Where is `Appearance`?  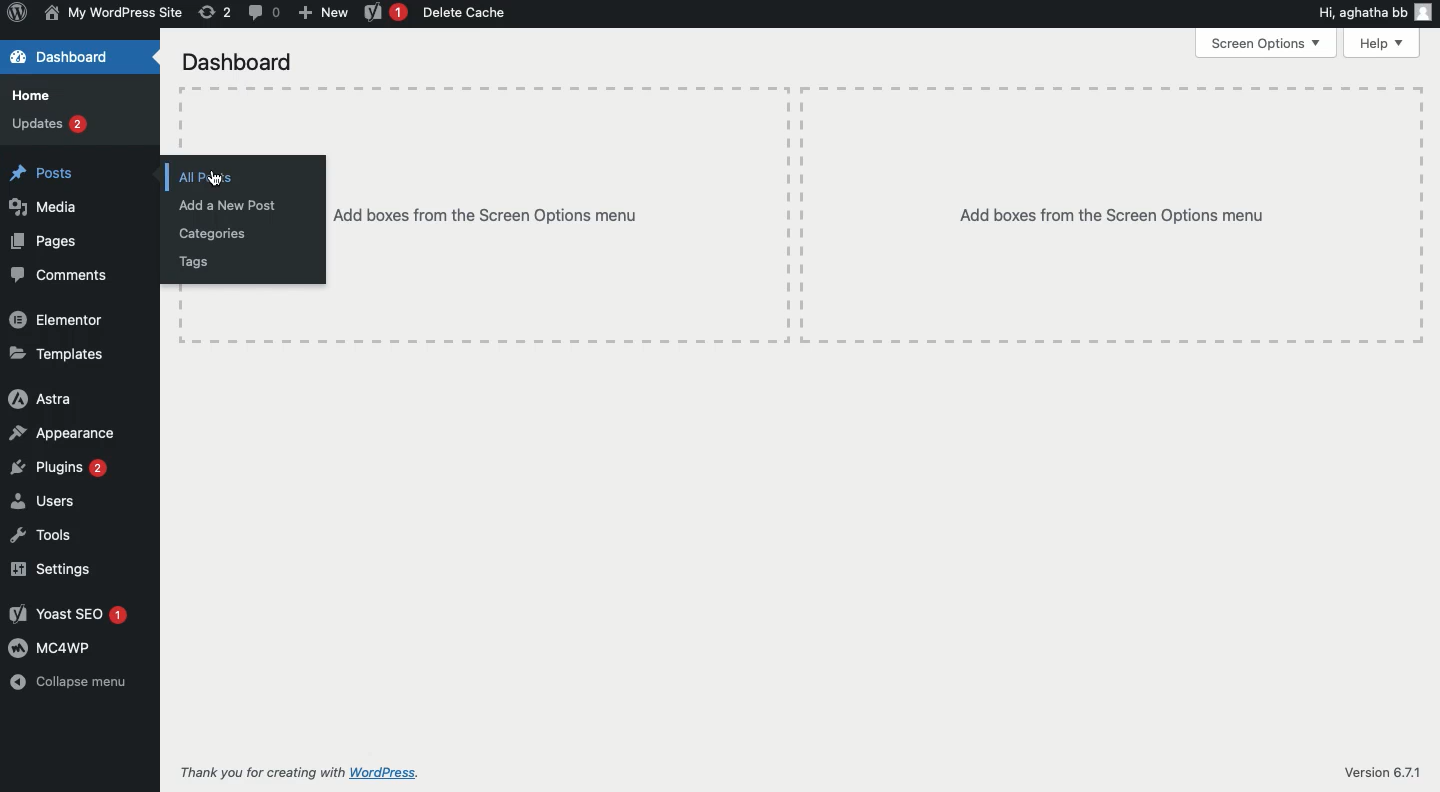
Appearance is located at coordinates (65, 431).